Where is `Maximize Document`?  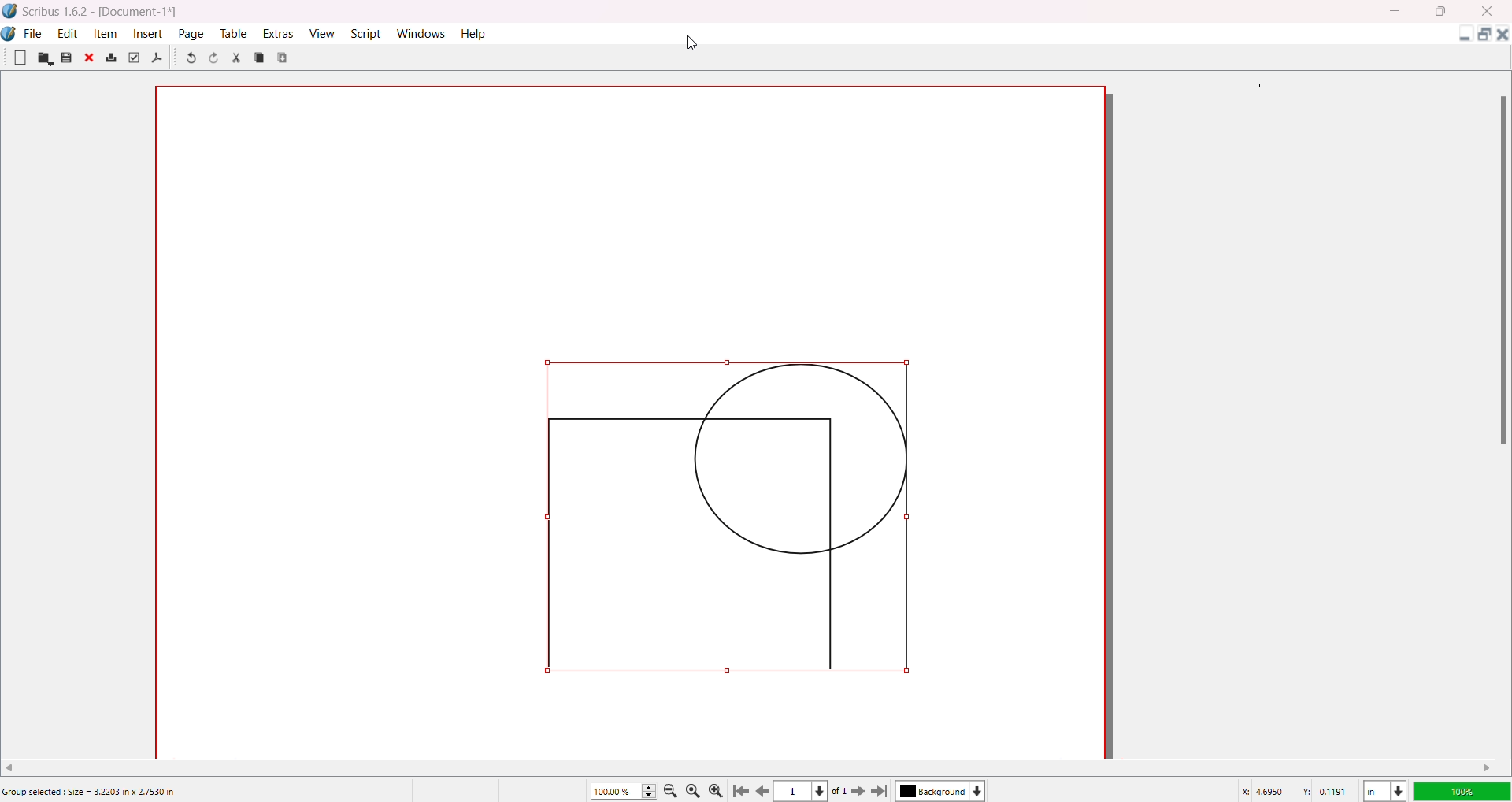 Maximize Document is located at coordinates (1483, 37).